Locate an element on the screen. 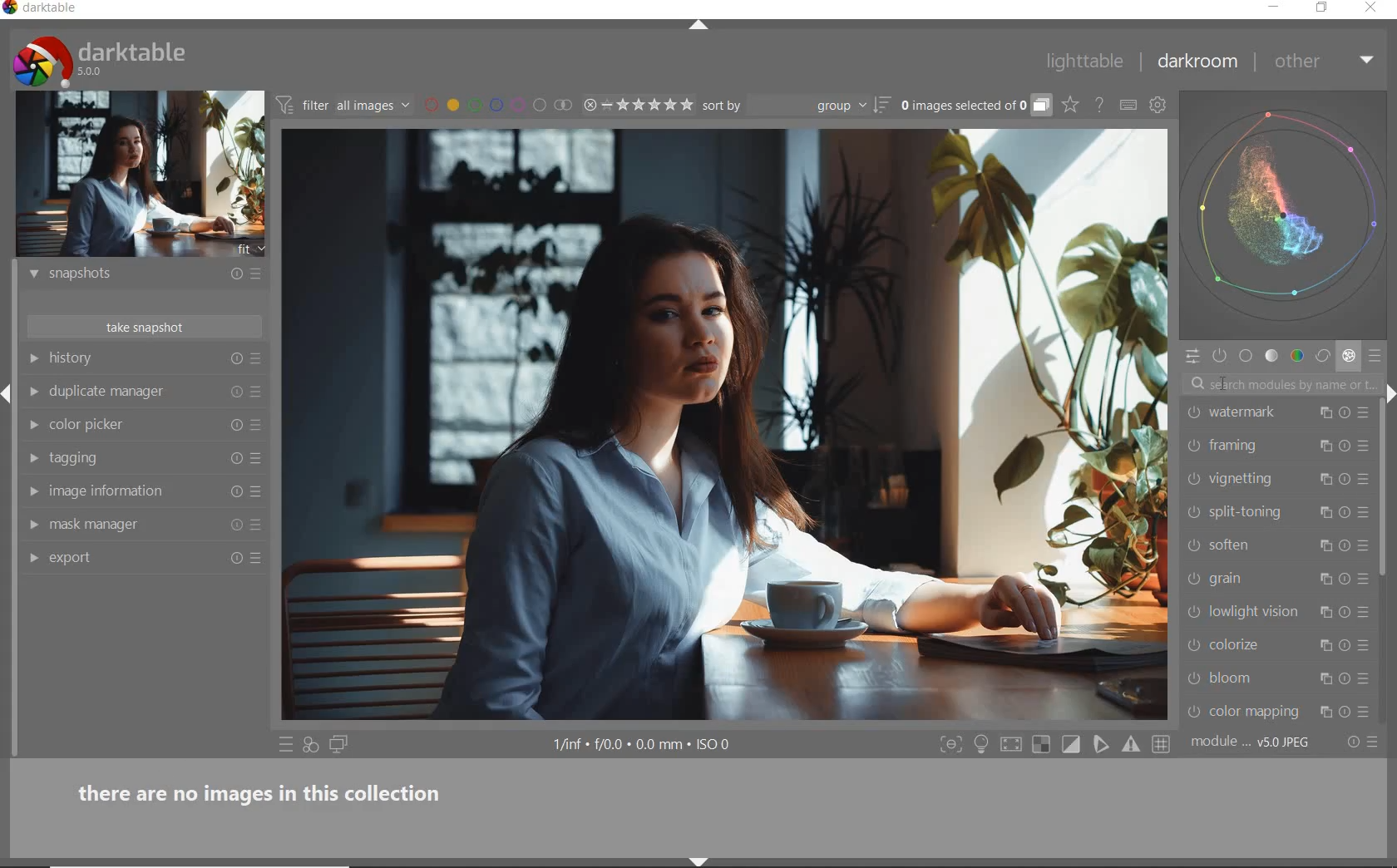 The height and width of the screenshot is (868, 1397). preset and preferences is located at coordinates (255, 361).